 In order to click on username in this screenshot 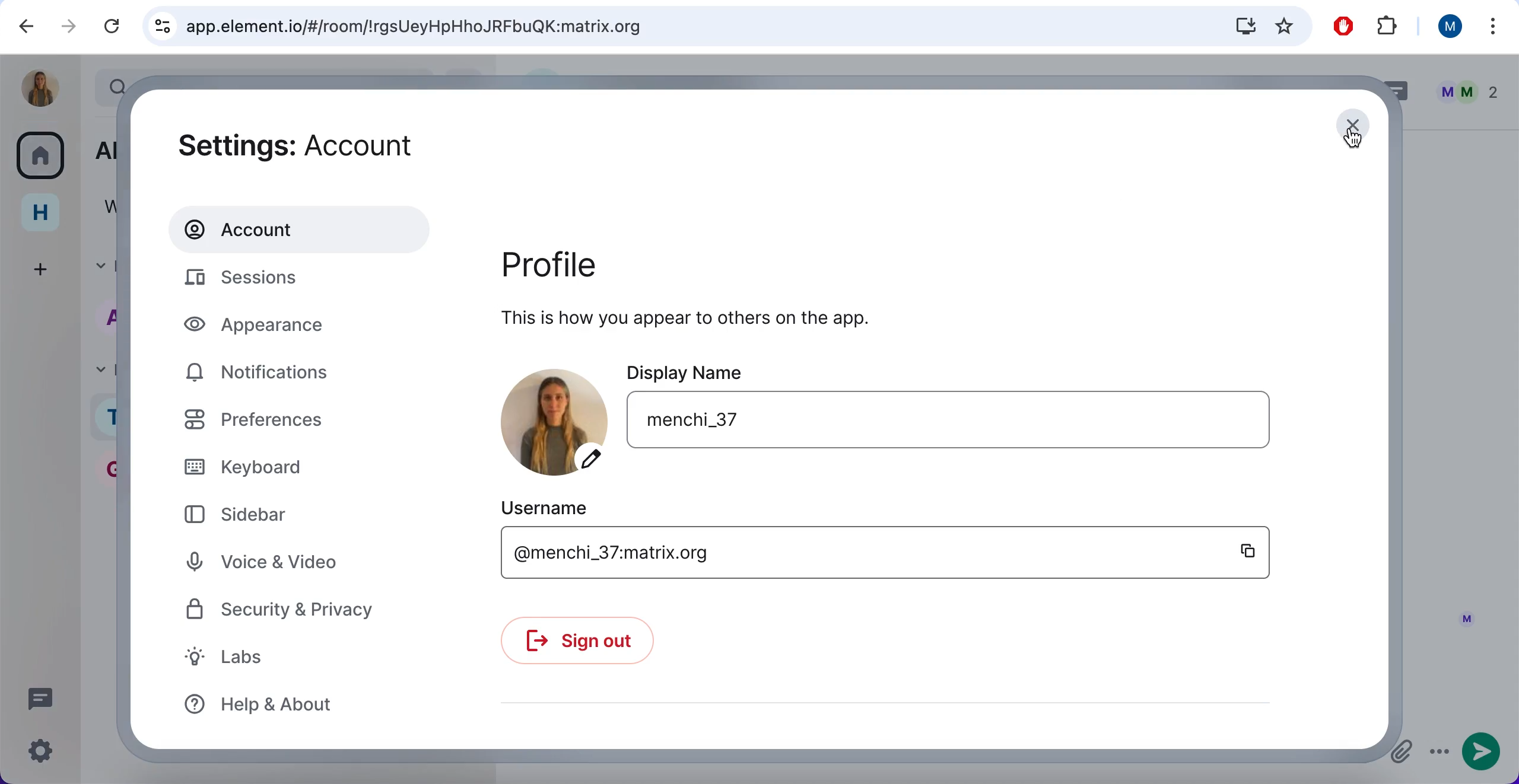, I will do `click(806, 552)`.